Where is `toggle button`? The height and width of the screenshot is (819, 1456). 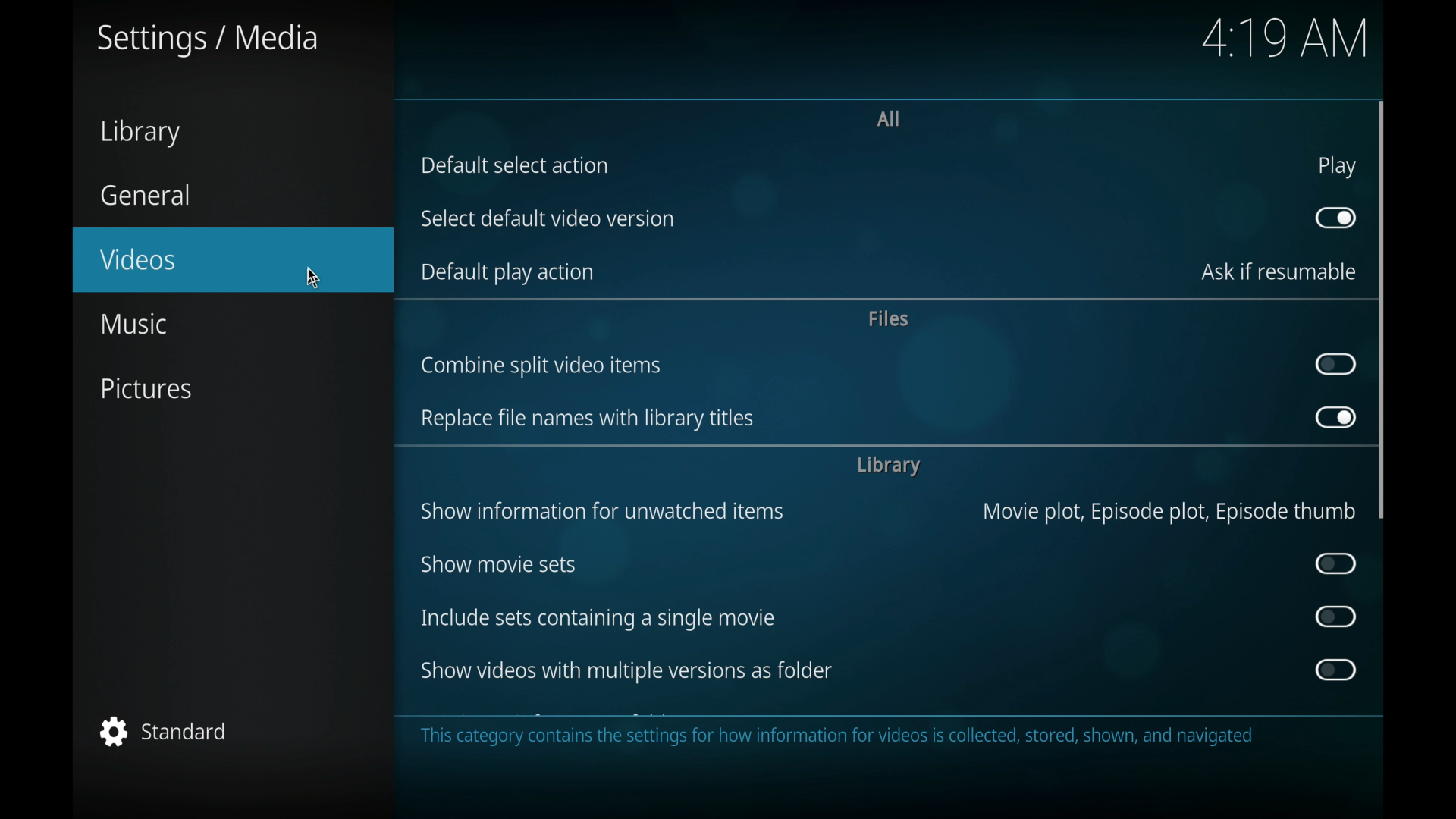
toggle button is located at coordinates (1337, 218).